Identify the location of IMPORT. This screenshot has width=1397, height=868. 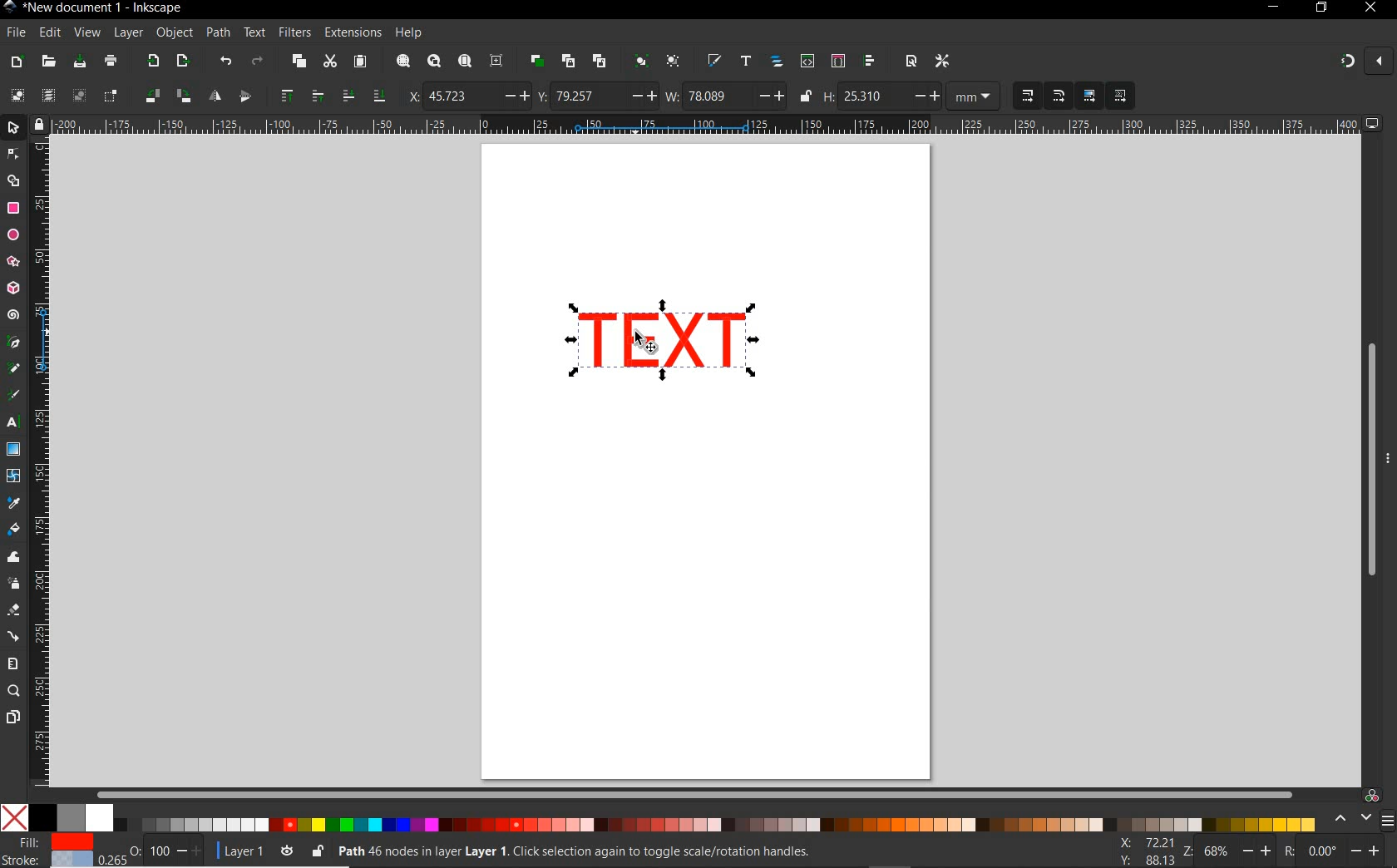
(151, 62).